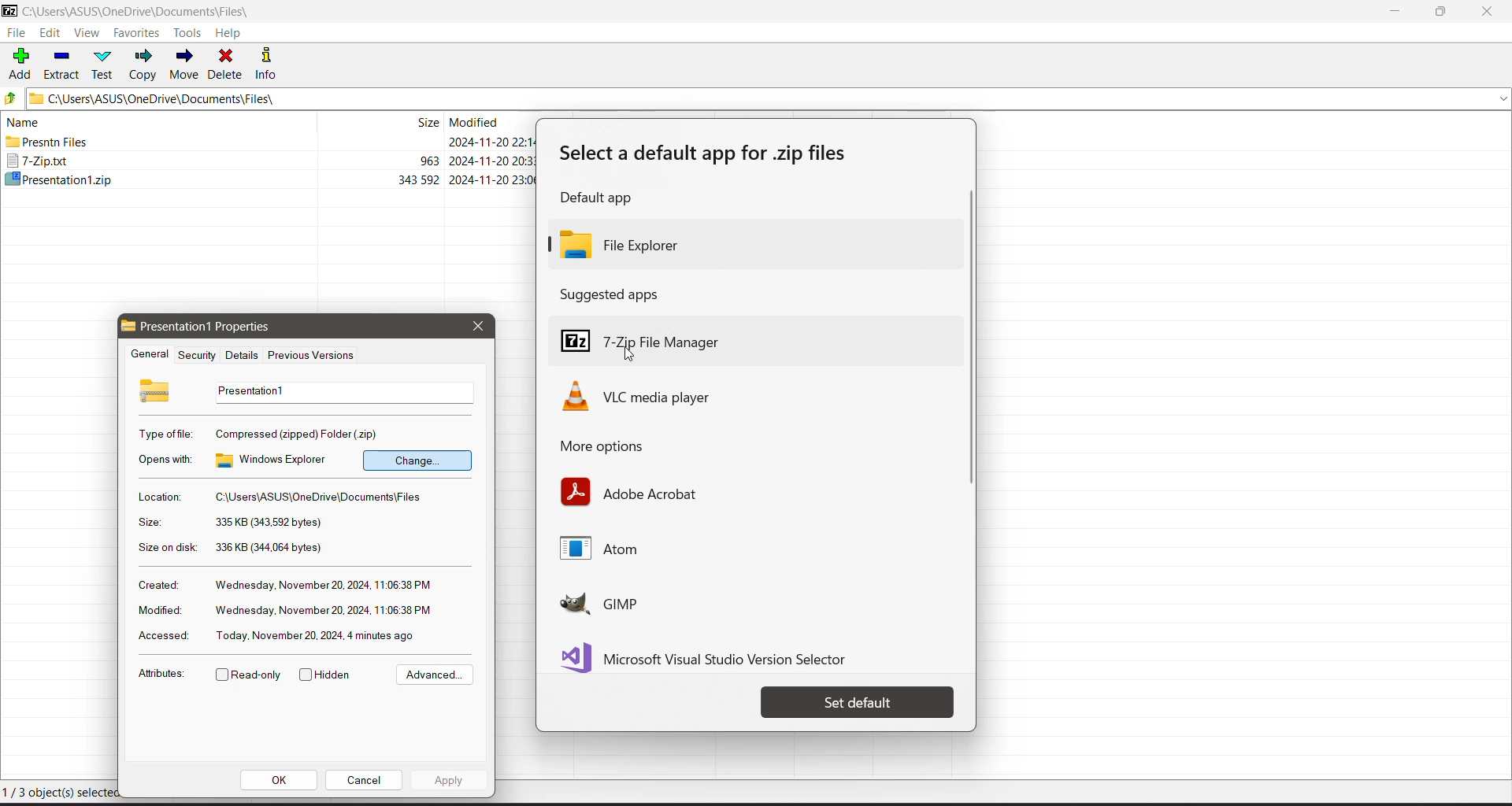 Image resolution: width=1512 pixels, height=806 pixels. What do you see at coordinates (340, 392) in the screenshot?
I see `Selected file name` at bounding box center [340, 392].